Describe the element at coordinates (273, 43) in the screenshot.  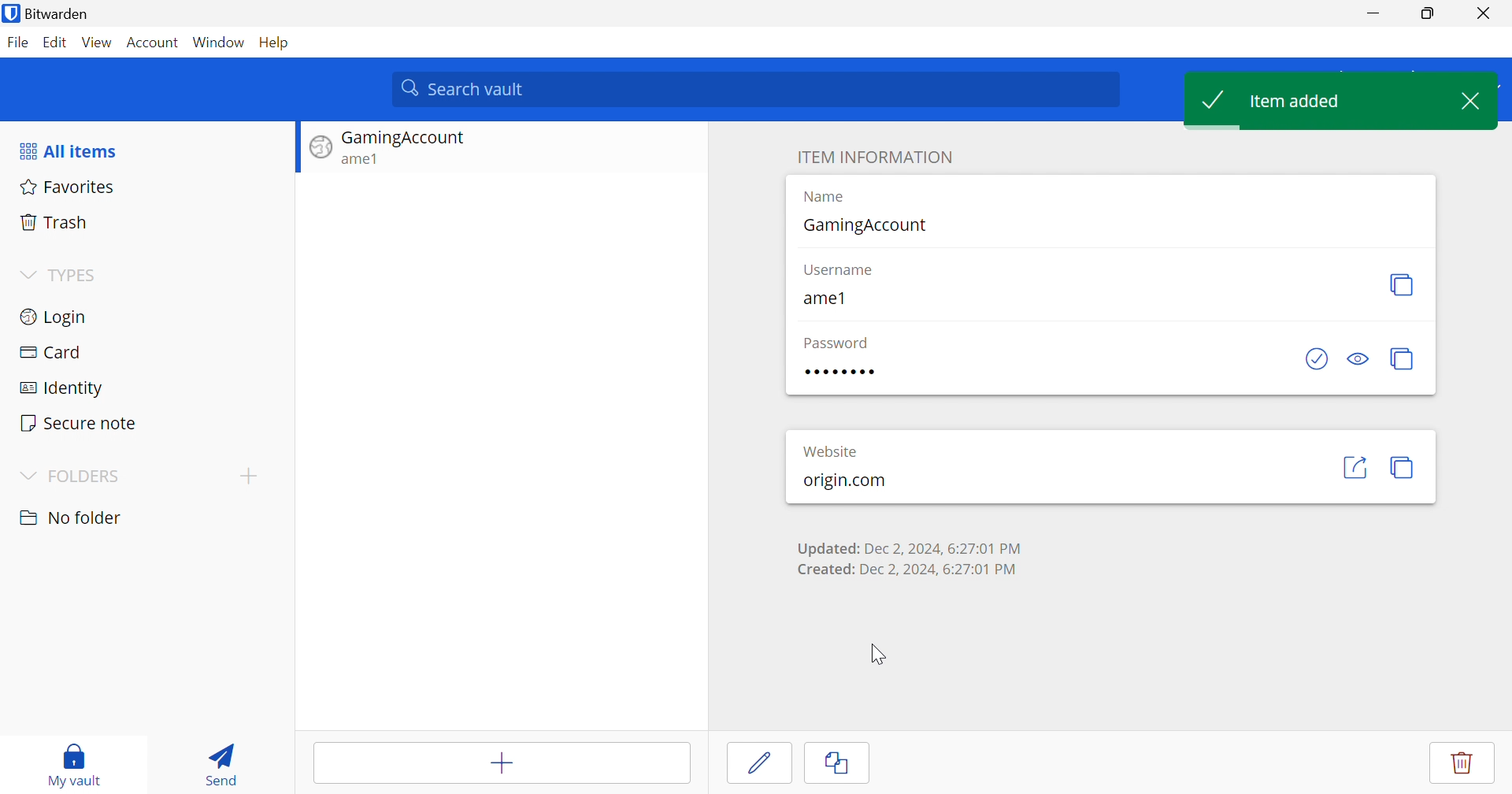
I see `Help` at that location.